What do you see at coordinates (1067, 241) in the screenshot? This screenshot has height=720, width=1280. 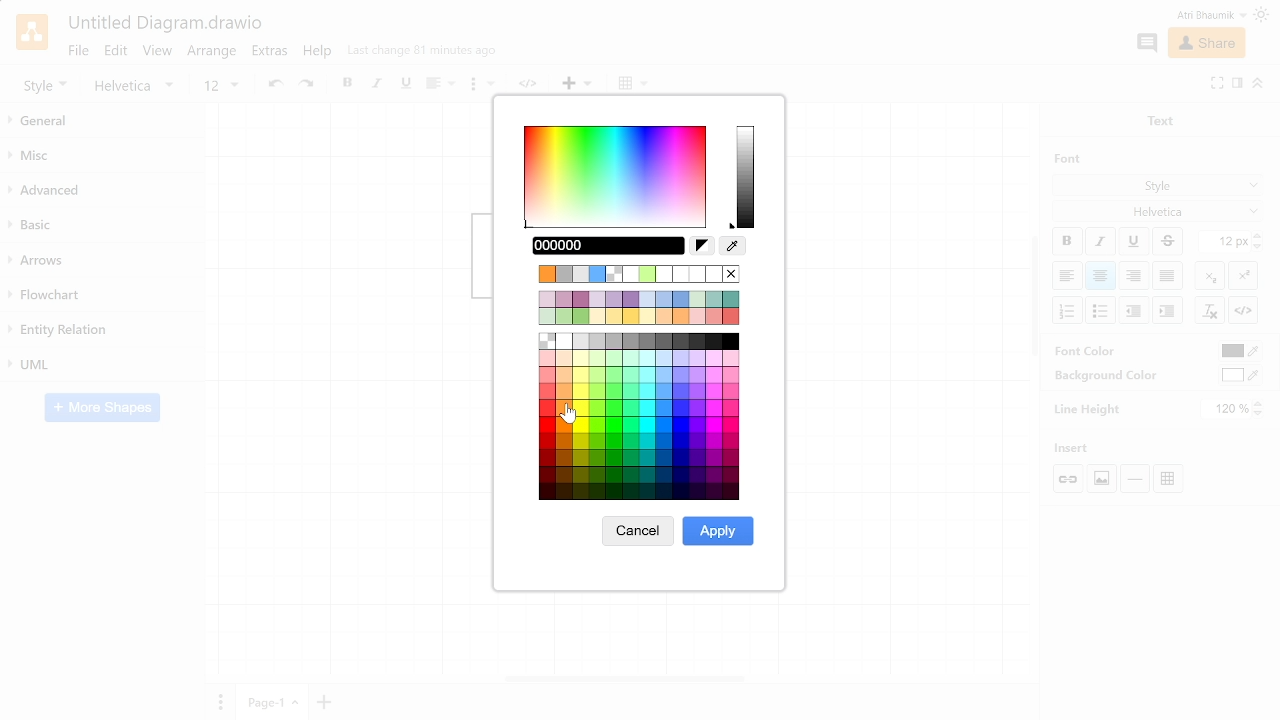 I see `Bold` at bounding box center [1067, 241].